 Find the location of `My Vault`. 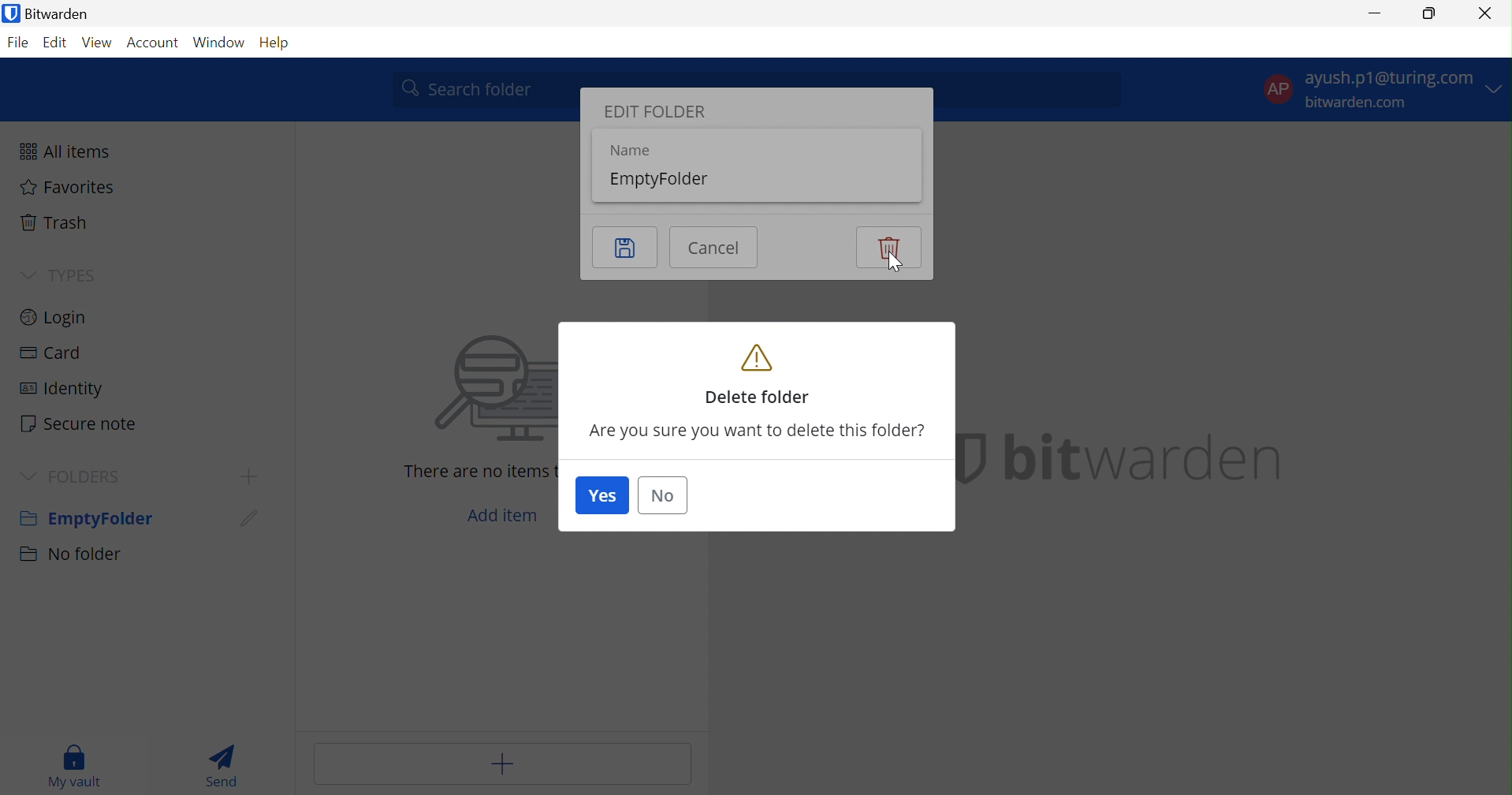

My Vault is located at coordinates (75, 766).